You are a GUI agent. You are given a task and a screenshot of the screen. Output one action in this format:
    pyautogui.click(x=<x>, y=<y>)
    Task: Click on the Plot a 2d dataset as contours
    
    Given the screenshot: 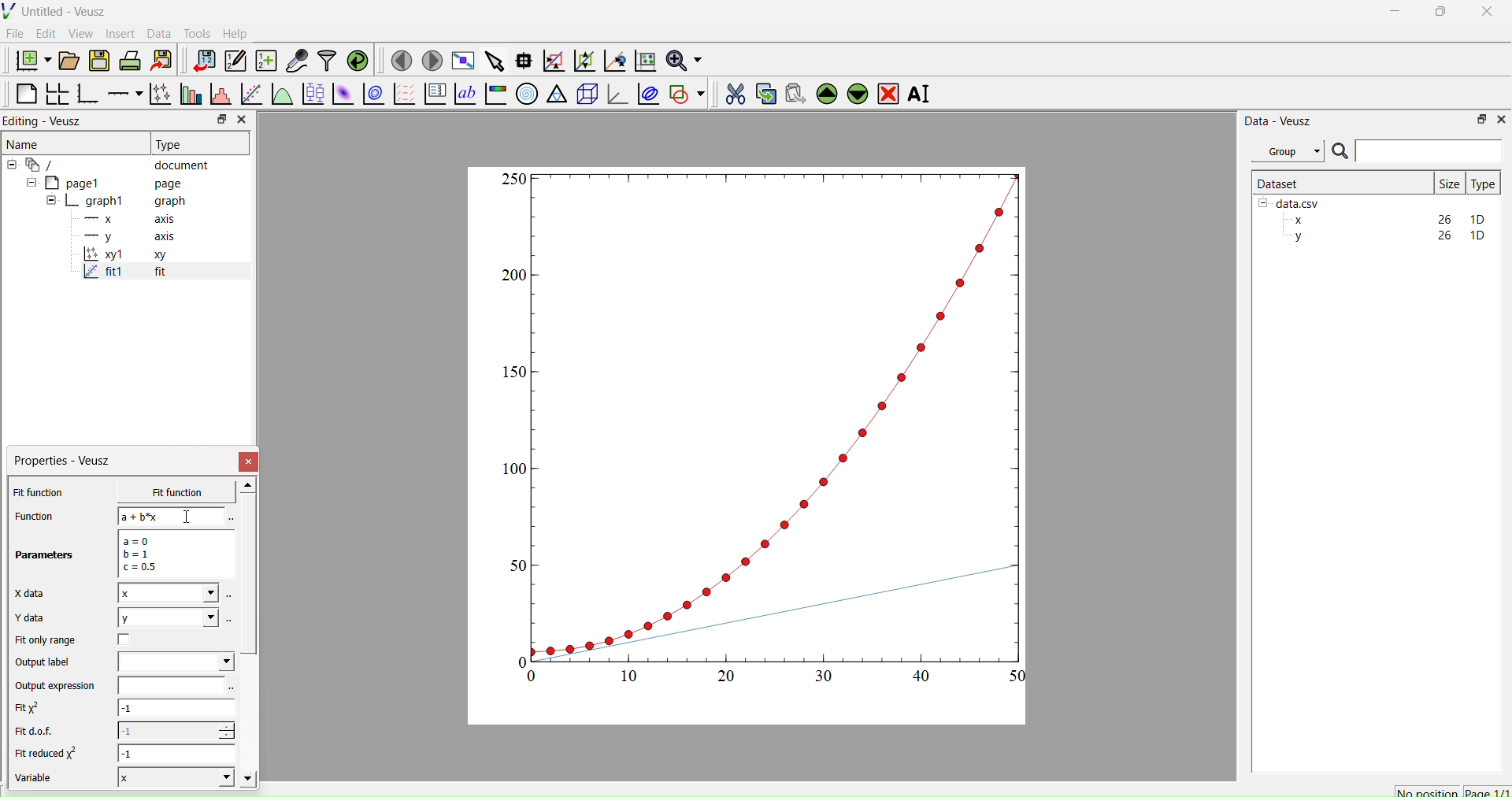 What is the action you would take?
    pyautogui.click(x=372, y=95)
    